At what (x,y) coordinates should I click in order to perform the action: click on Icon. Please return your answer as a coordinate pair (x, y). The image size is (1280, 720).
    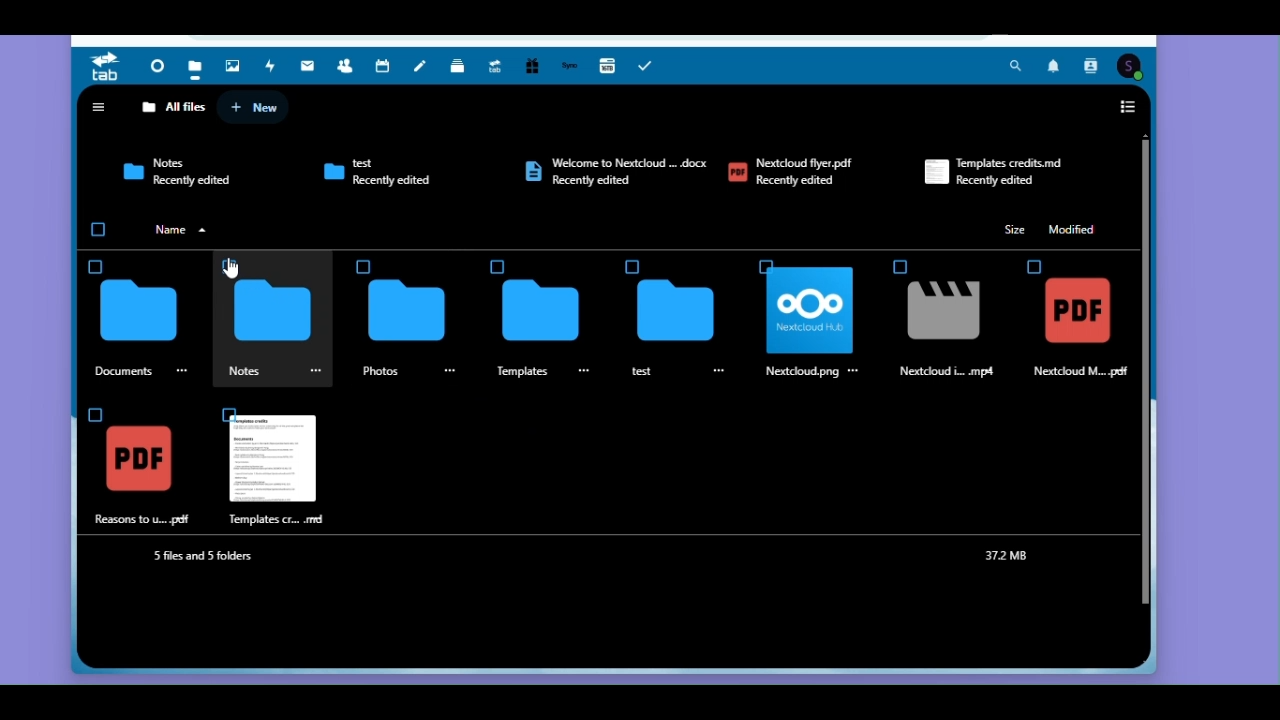
    Looking at the image, I should click on (933, 314).